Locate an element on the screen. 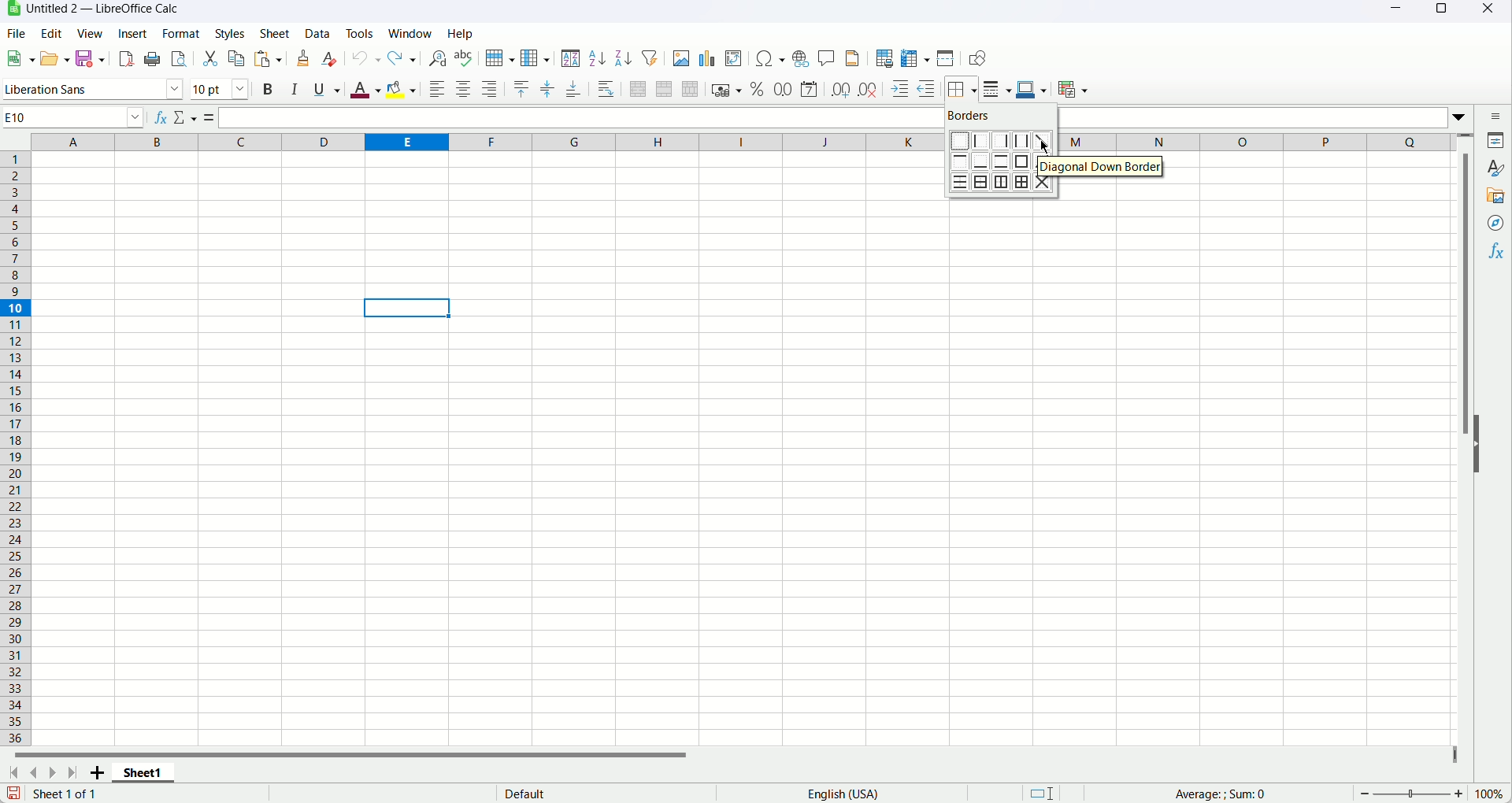  Sort ascending is located at coordinates (598, 58).